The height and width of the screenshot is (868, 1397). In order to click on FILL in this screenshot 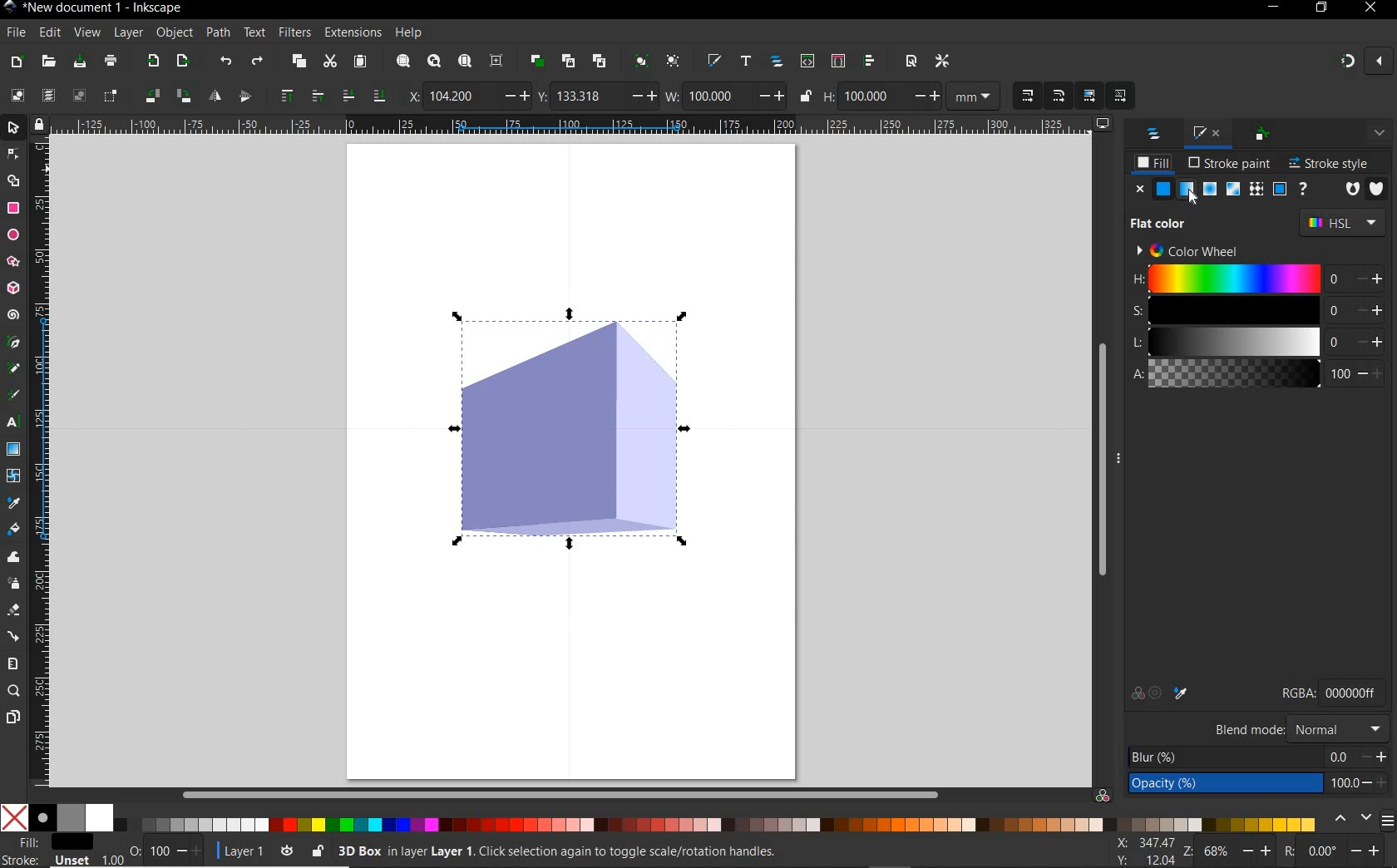, I will do `click(1152, 165)`.